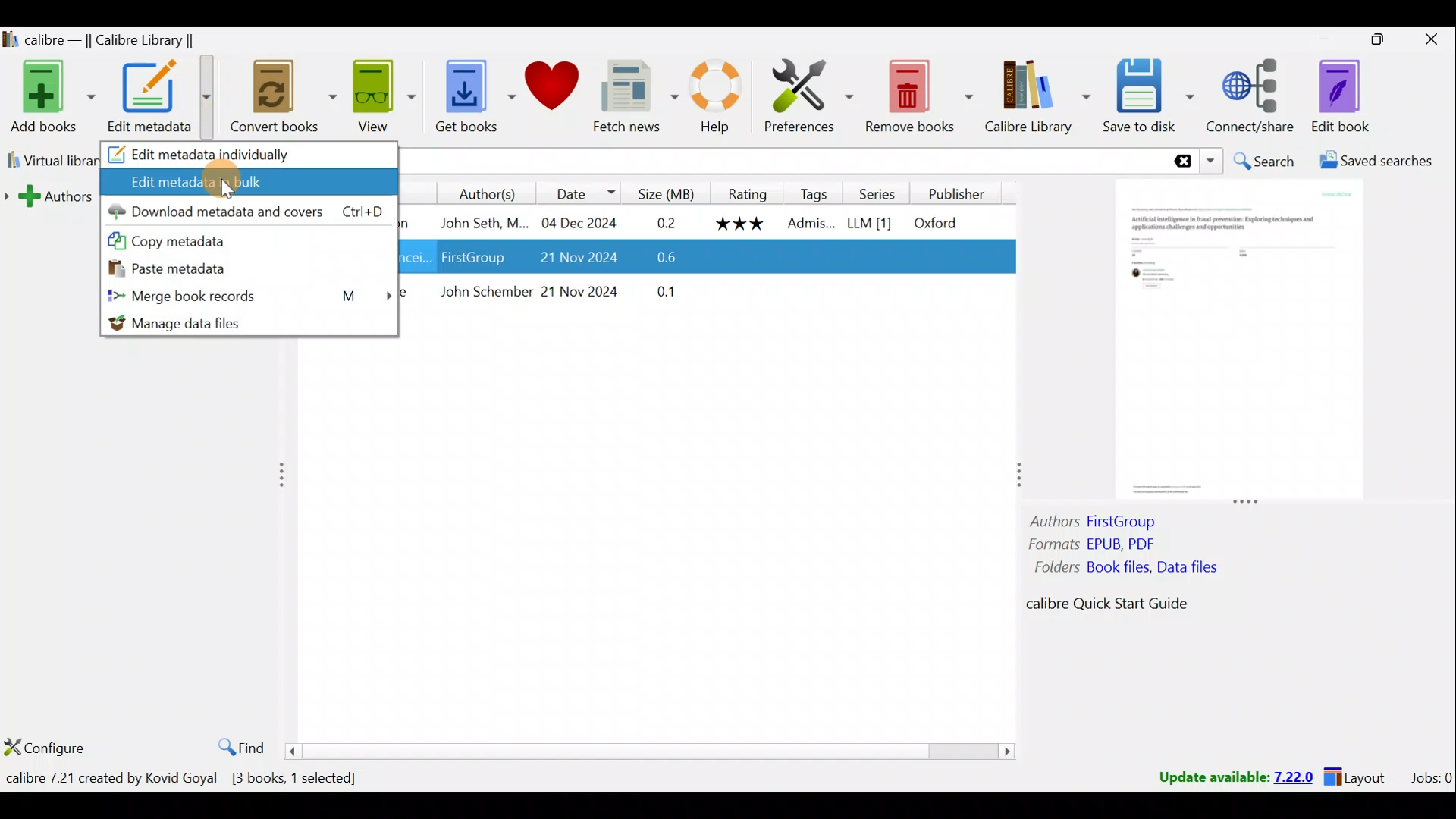 The width and height of the screenshot is (1456, 819). Describe the element at coordinates (1234, 778) in the screenshot. I see `Update` at that location.